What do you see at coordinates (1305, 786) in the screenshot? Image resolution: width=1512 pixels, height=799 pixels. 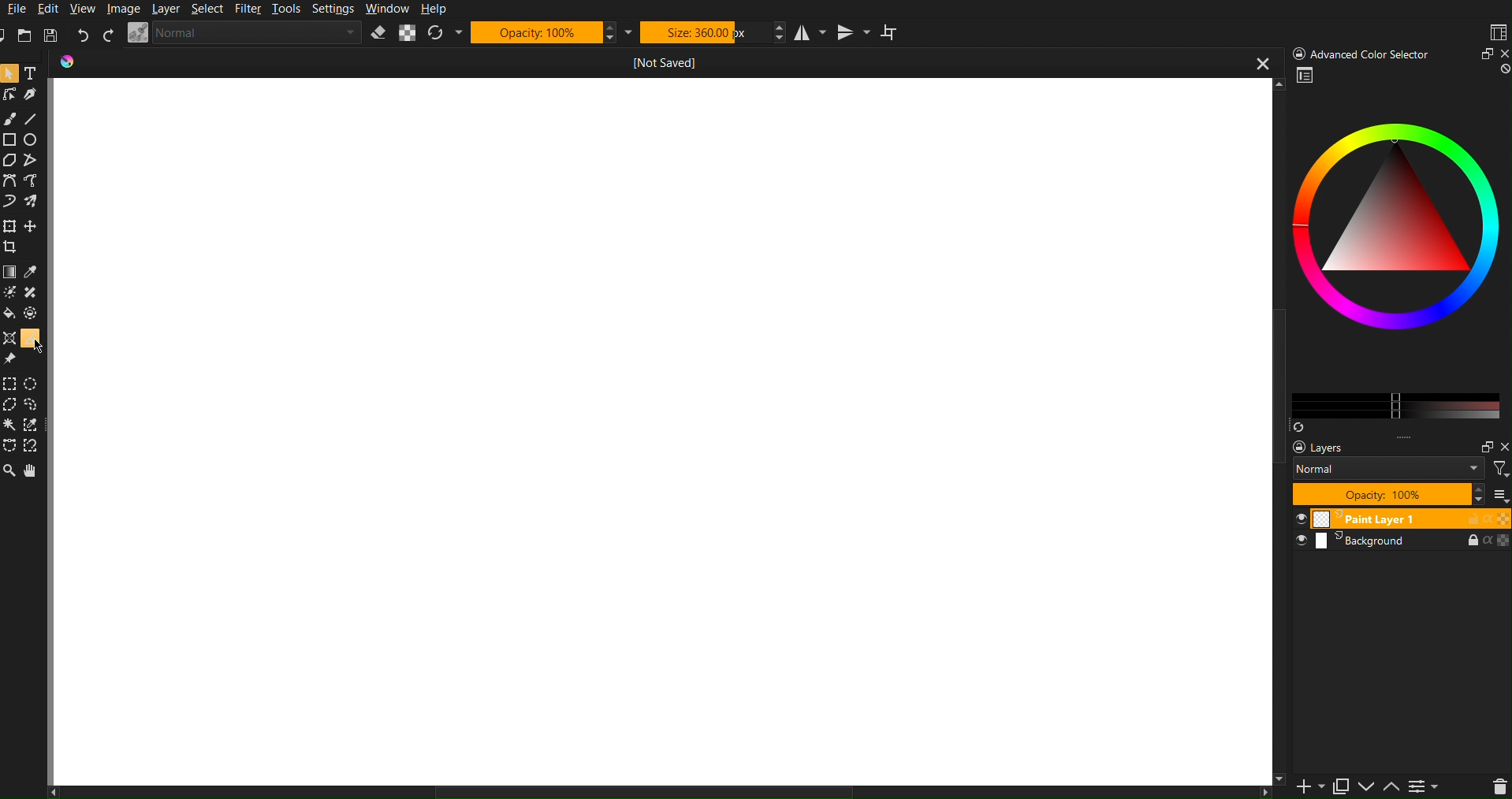 I see `New` at bounding box center [1305, 786].